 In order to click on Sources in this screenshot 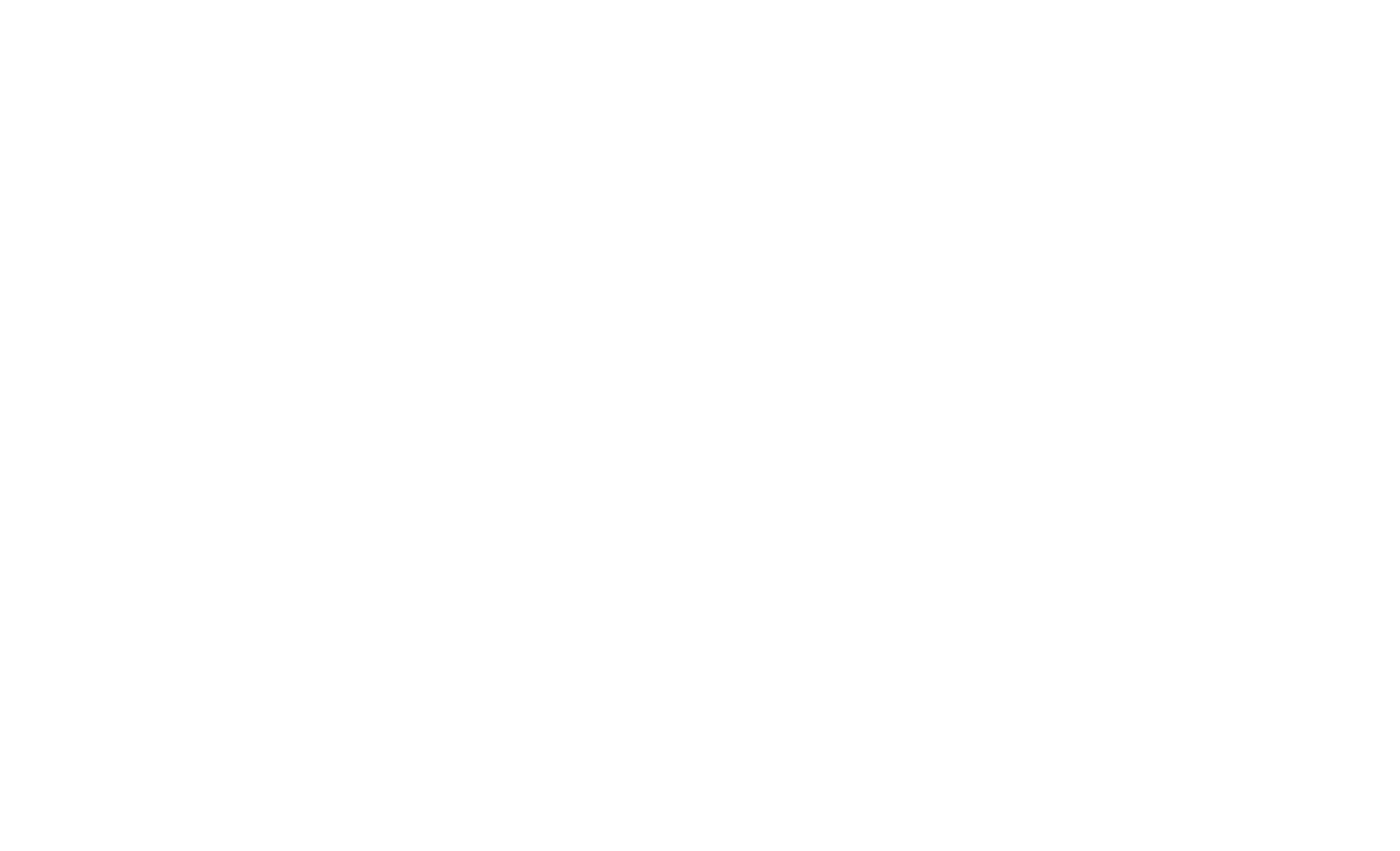, I will do `click(323, 562)`.